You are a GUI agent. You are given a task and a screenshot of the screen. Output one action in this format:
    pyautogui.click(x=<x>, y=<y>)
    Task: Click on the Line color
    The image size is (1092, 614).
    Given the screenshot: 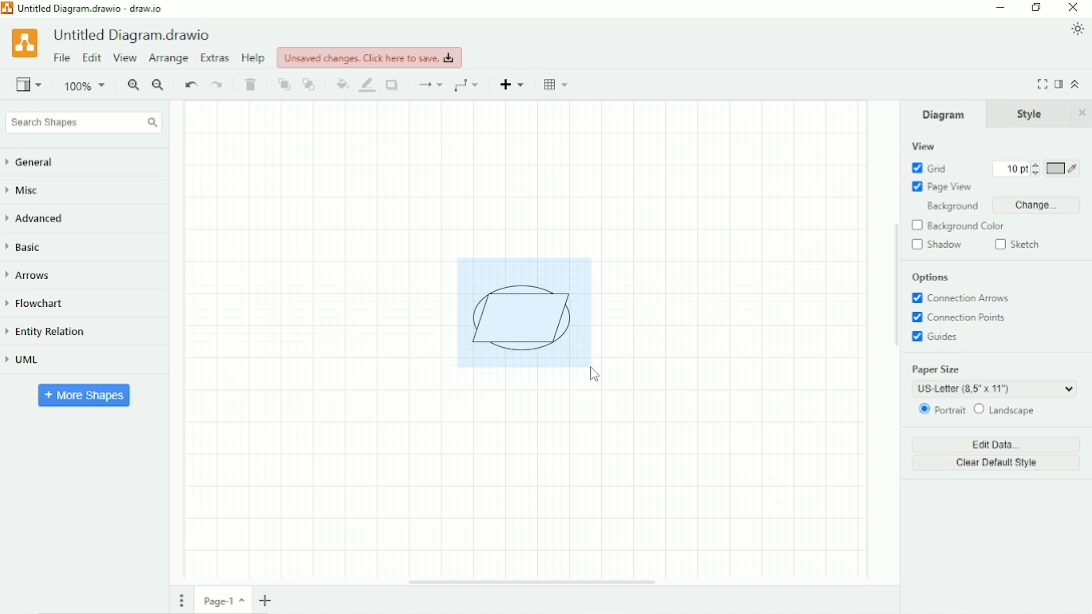 What is the action you would take?
    pyautogui.click(x=368, y=85)
    